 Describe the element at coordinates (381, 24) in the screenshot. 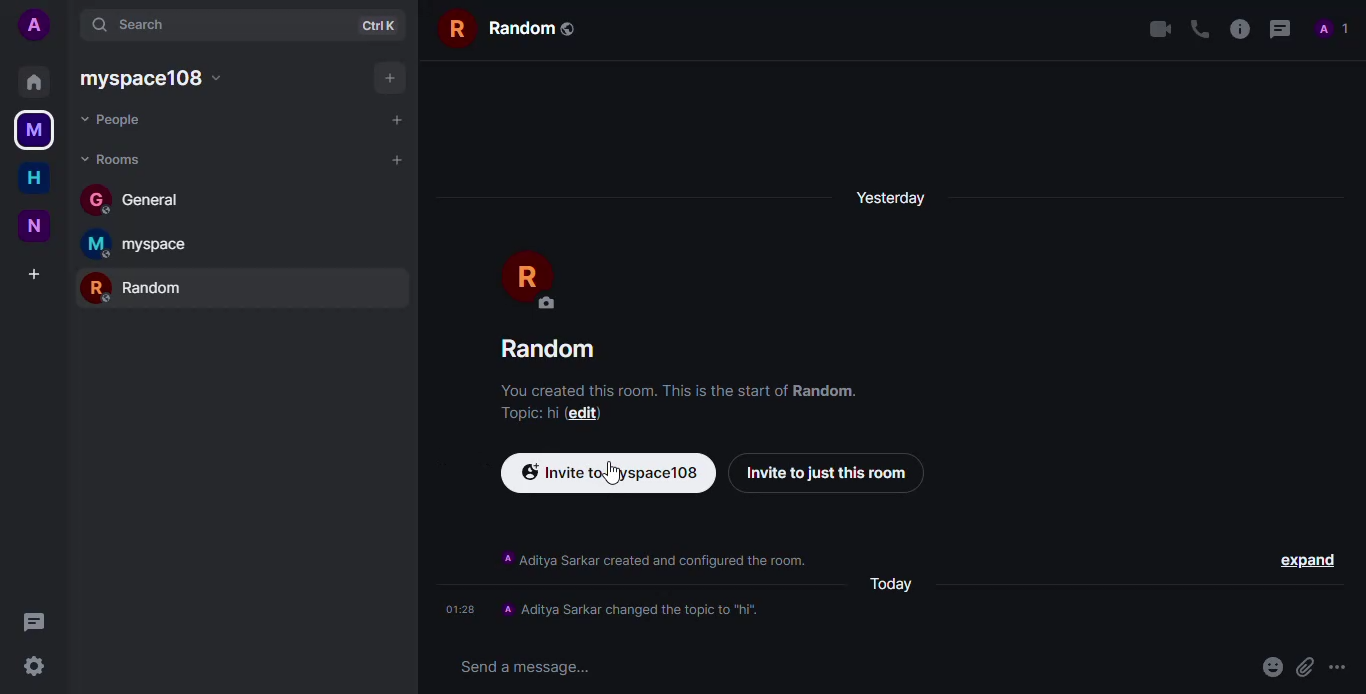

I see `ctrl+k` at that location.